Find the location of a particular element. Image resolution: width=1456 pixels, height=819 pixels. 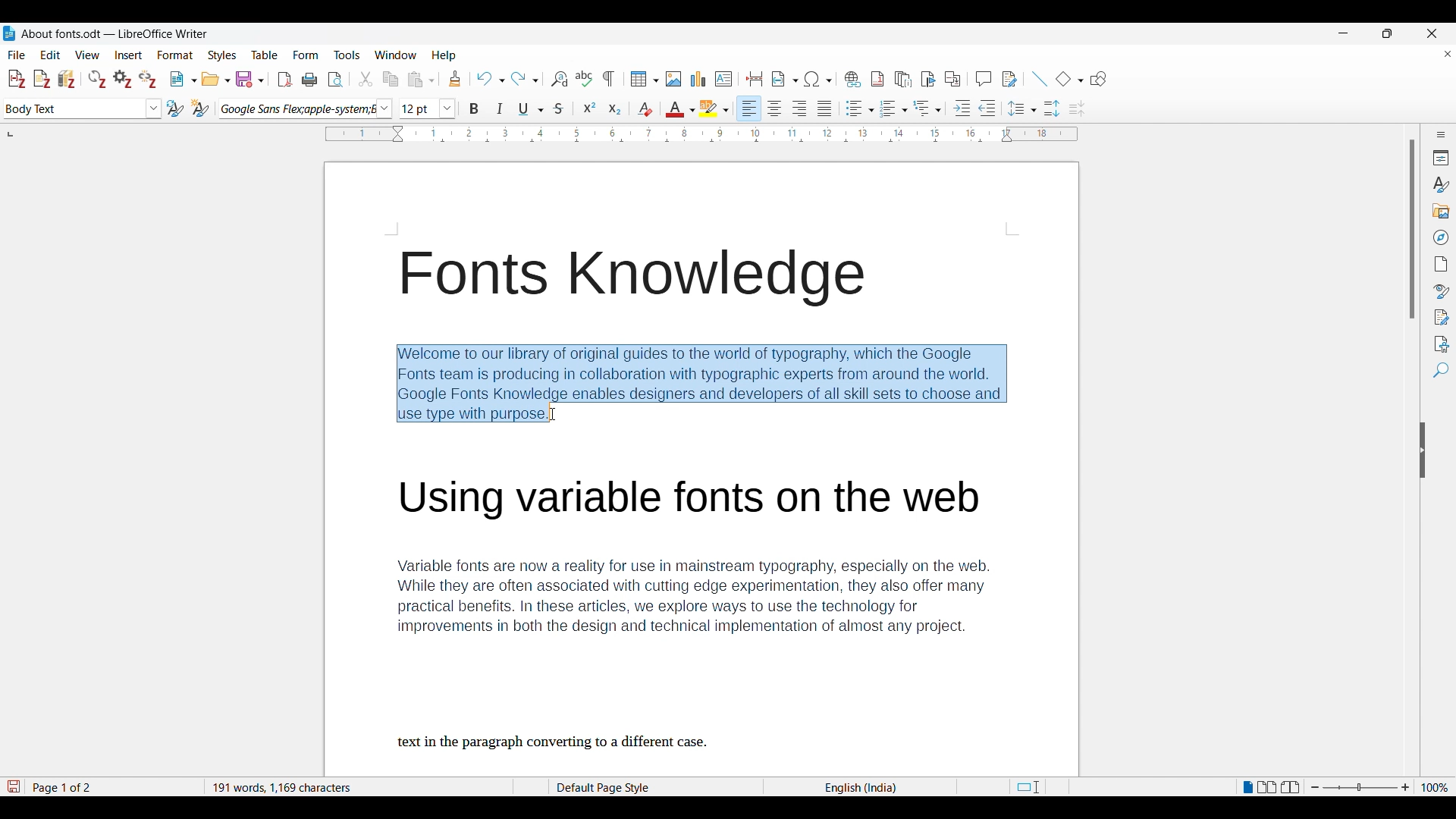

Set document preferences is located at coordinates (122, 79).